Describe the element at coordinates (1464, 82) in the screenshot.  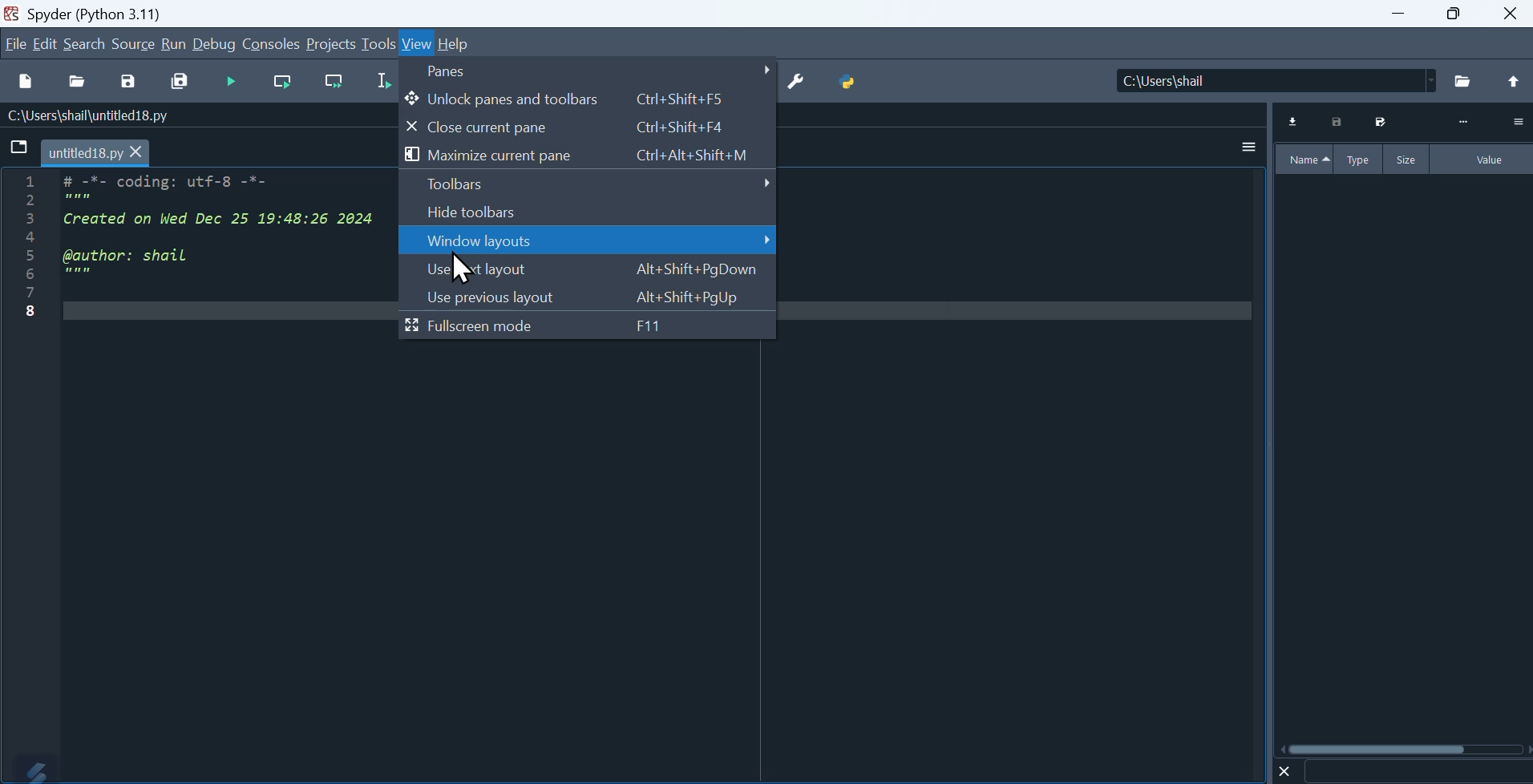
I see `Folder` at that location.